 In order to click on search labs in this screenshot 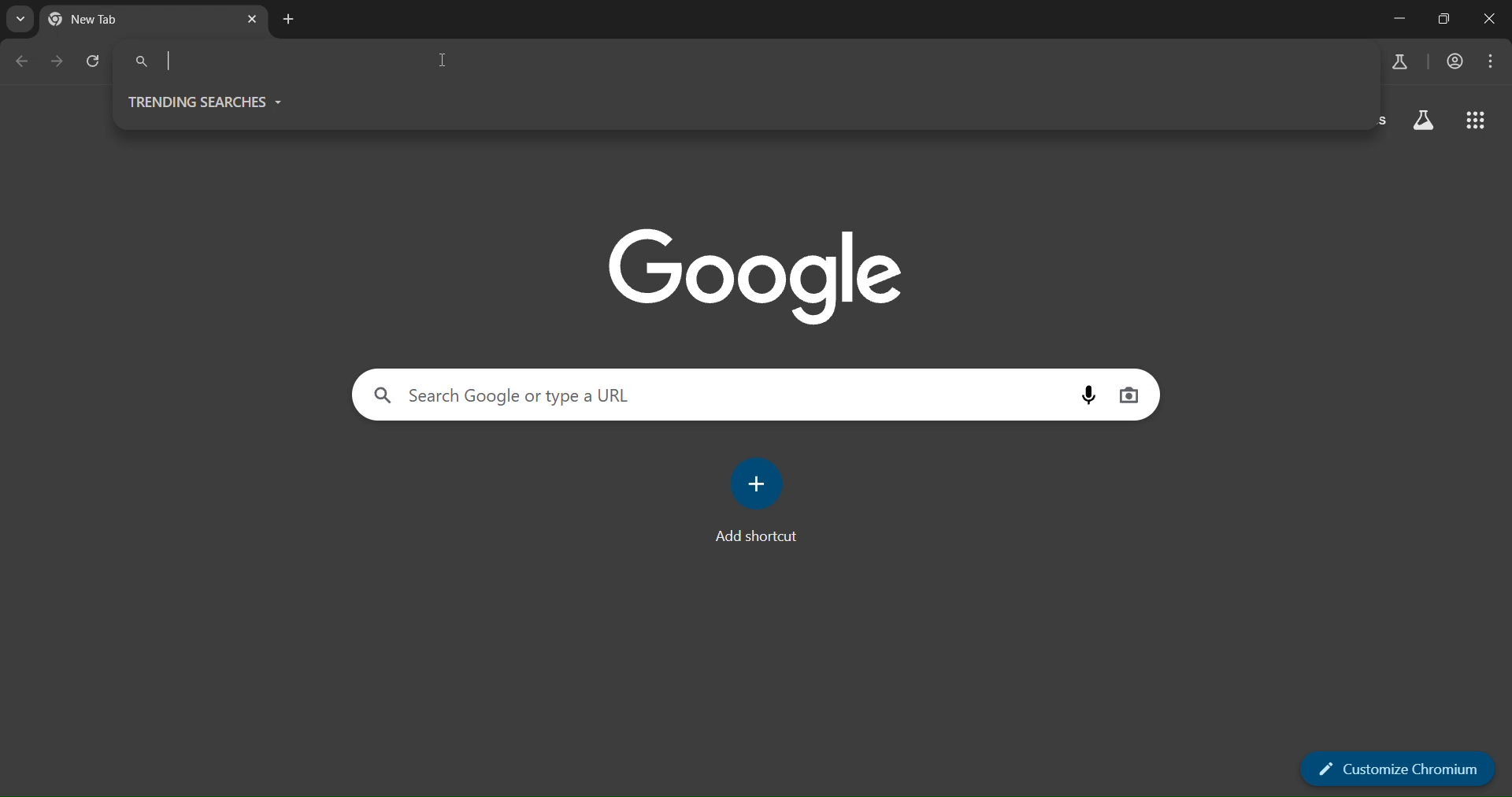, I will do `click(1398, 61)`.